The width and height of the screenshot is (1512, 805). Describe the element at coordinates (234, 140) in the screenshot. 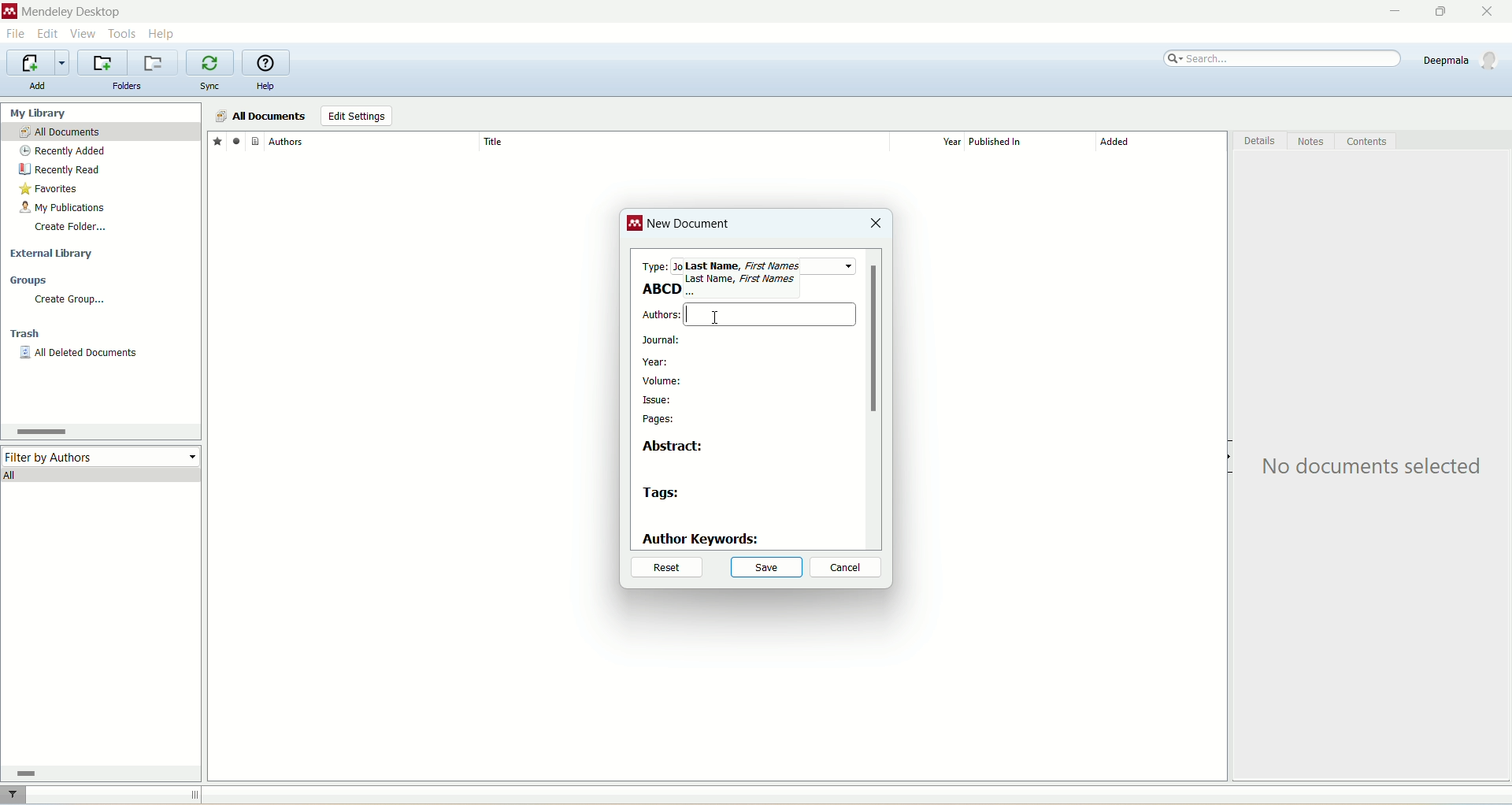

I see `read/unread` at that location.